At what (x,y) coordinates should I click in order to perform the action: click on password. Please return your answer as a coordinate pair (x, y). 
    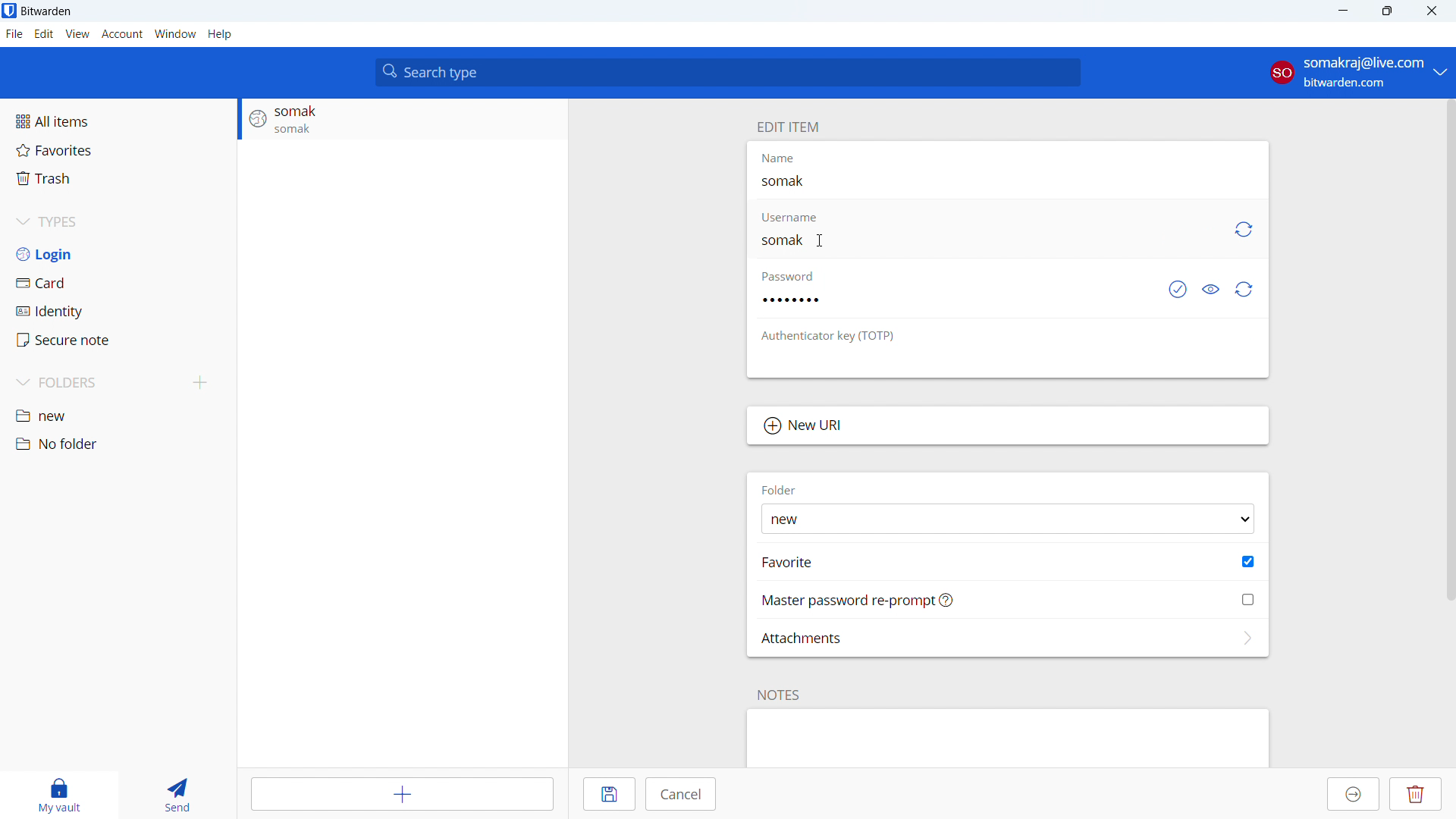
    Looking at the image, I should click on (797, 277).